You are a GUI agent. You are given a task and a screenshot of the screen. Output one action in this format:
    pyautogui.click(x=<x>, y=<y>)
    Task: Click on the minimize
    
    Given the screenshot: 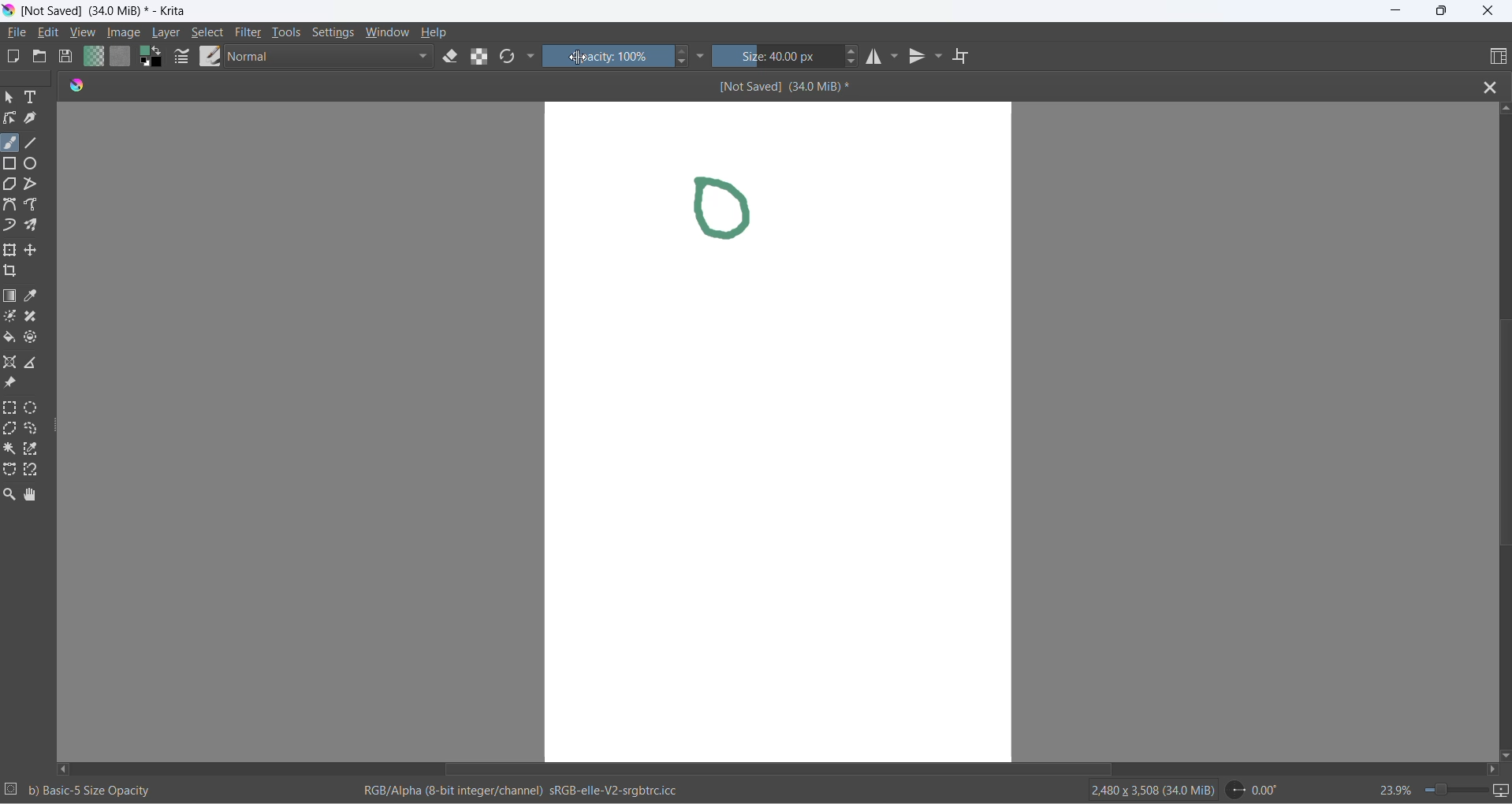 What is the action you would take?
    pyautogui.click(x=1396, y=10)
    